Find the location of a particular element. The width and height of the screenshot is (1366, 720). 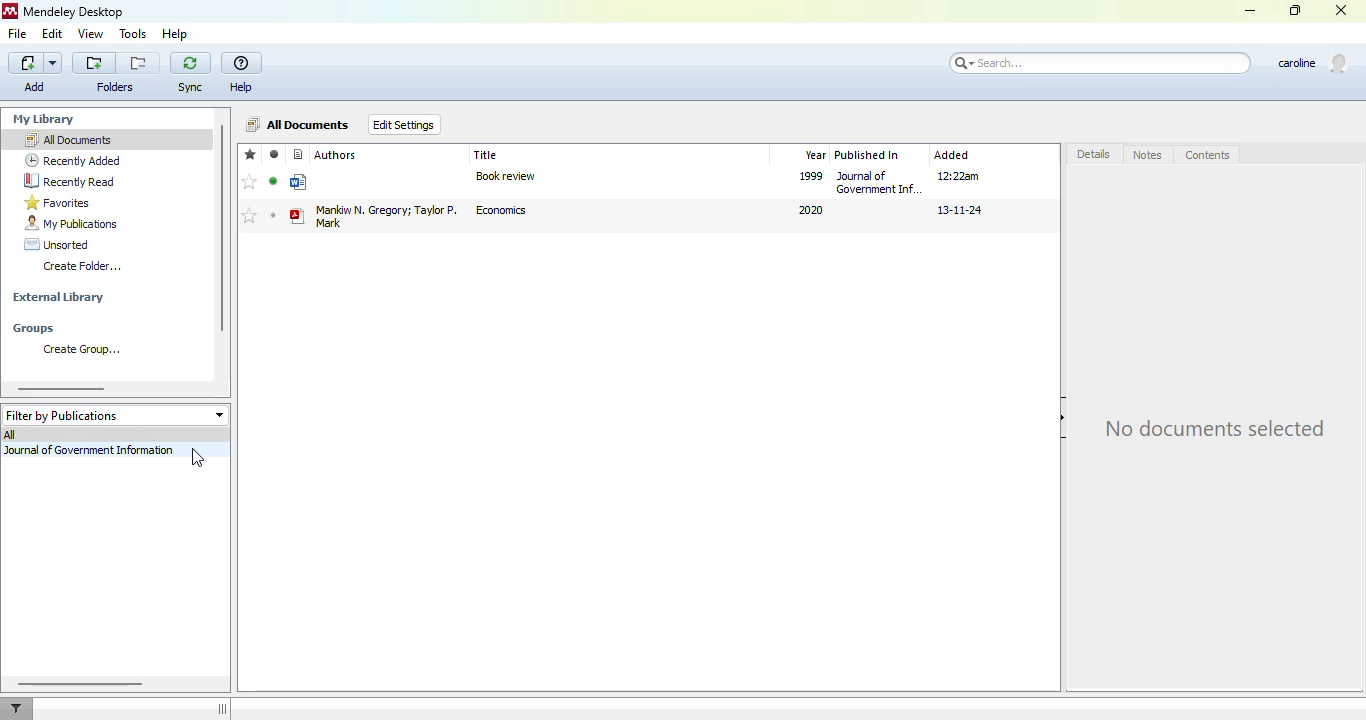

book review is located at coordinates (505, 176).